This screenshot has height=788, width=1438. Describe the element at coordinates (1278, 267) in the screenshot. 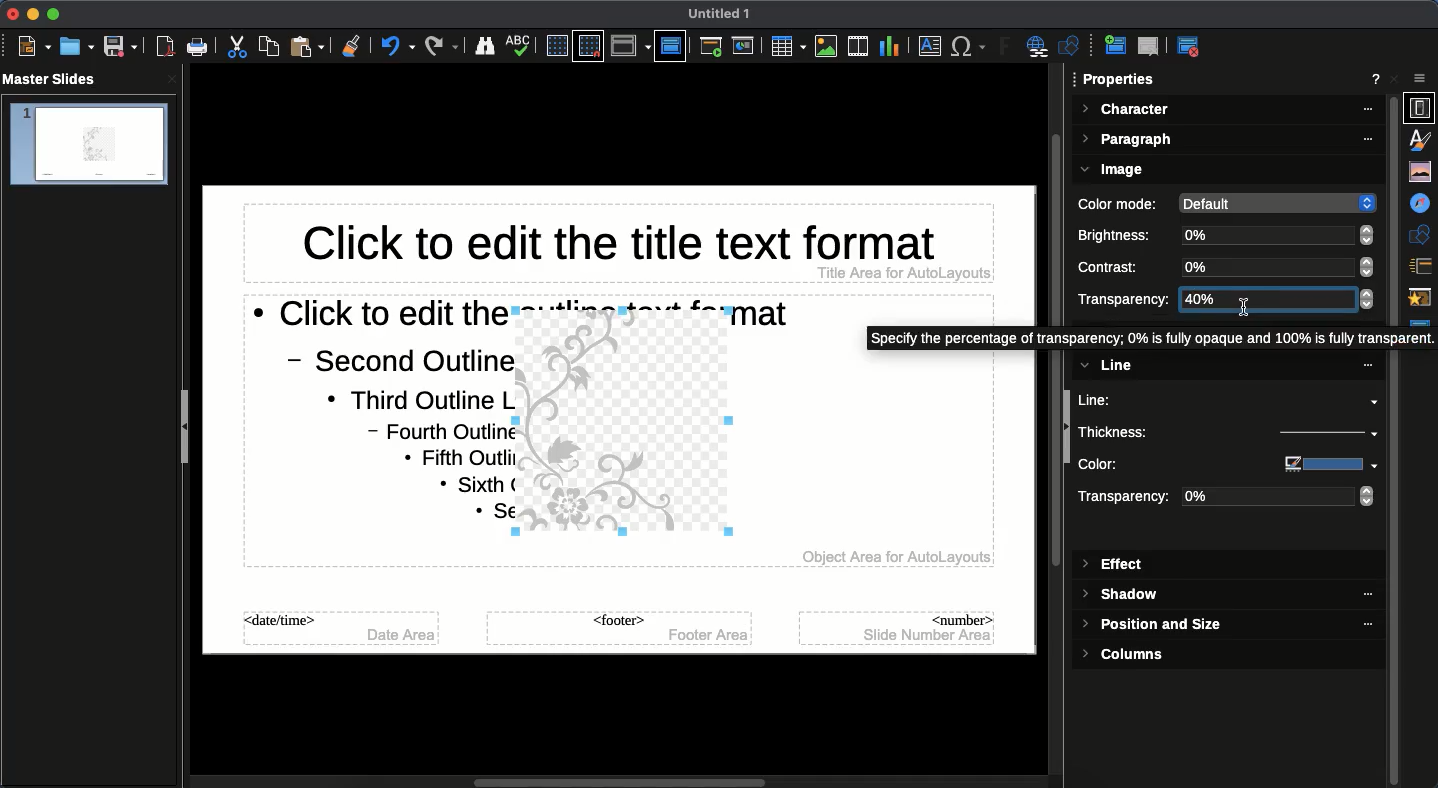

I see `0%` at that location.